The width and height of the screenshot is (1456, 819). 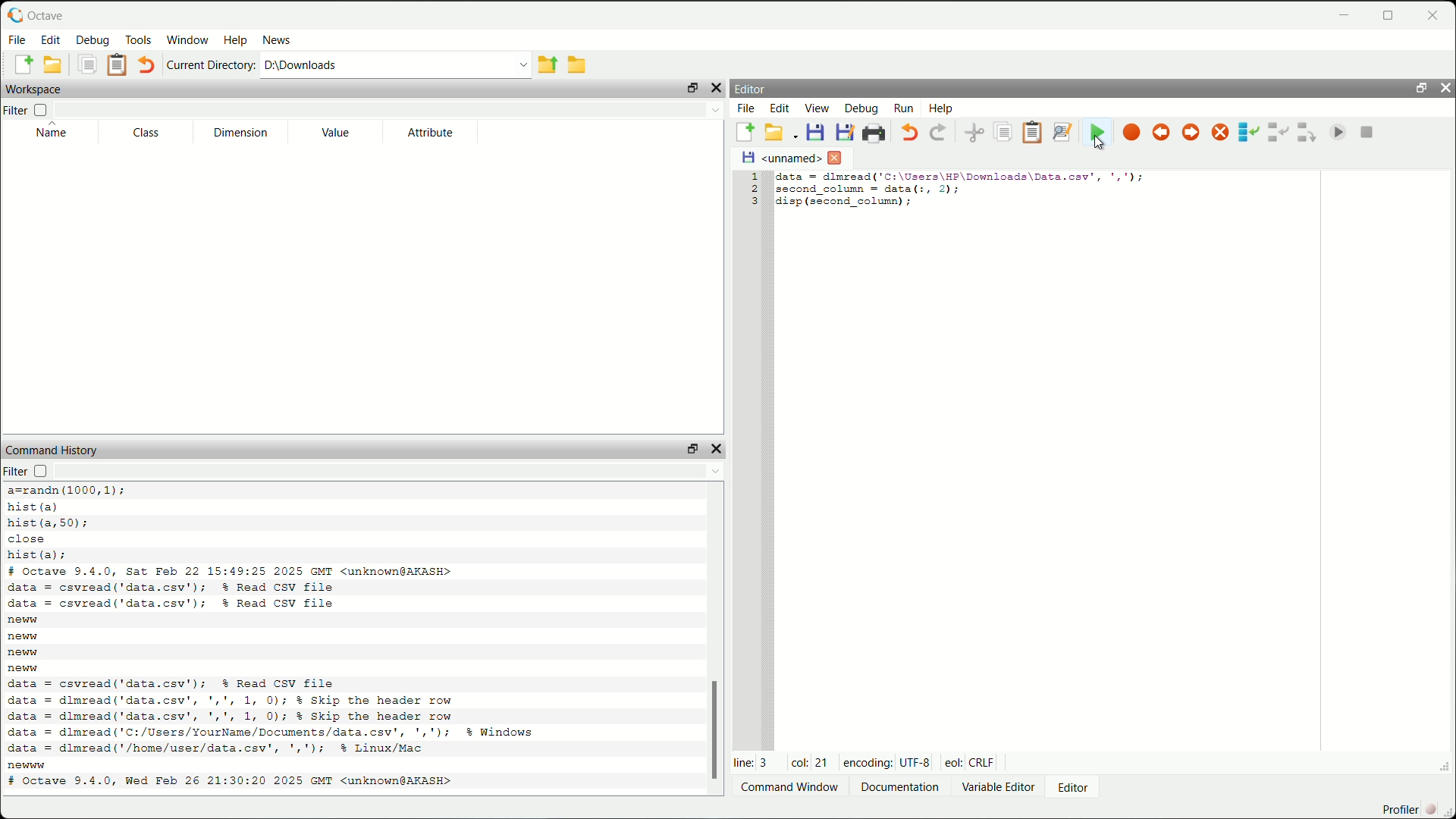 I want to click on continue, so click(x=1341, y=129).